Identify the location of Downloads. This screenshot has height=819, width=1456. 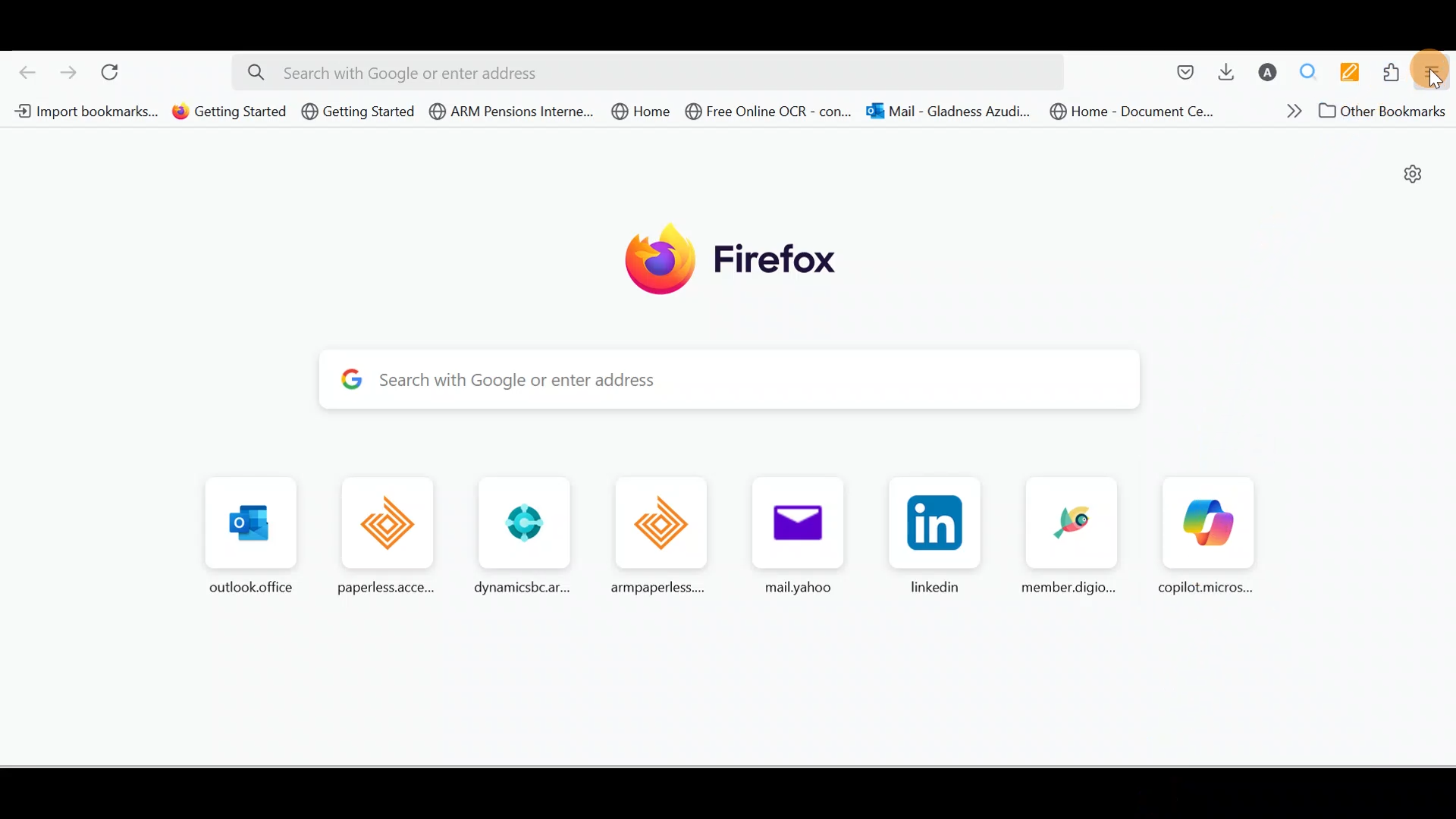
(1225, 71).